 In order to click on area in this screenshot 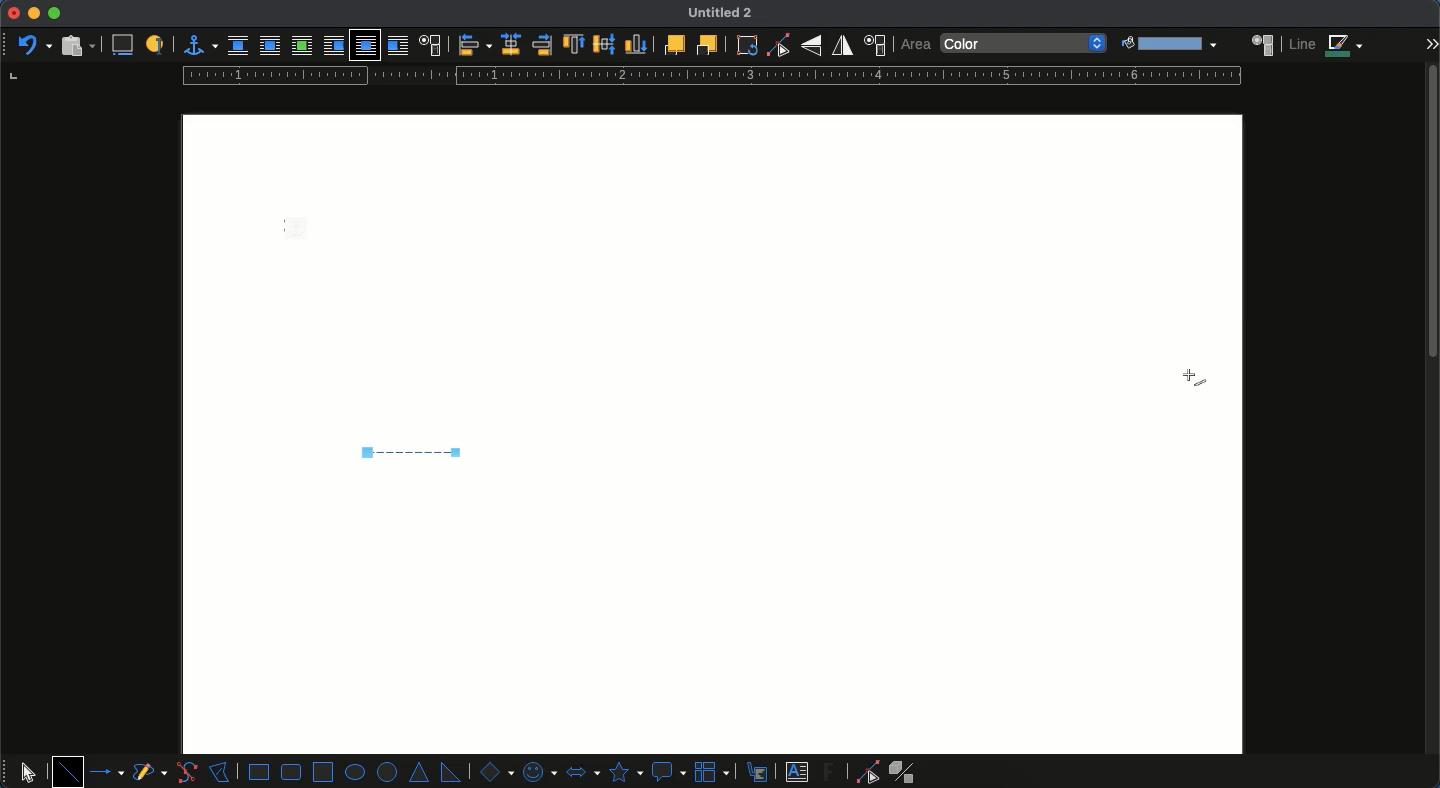, I will do `click(915, 45)`.